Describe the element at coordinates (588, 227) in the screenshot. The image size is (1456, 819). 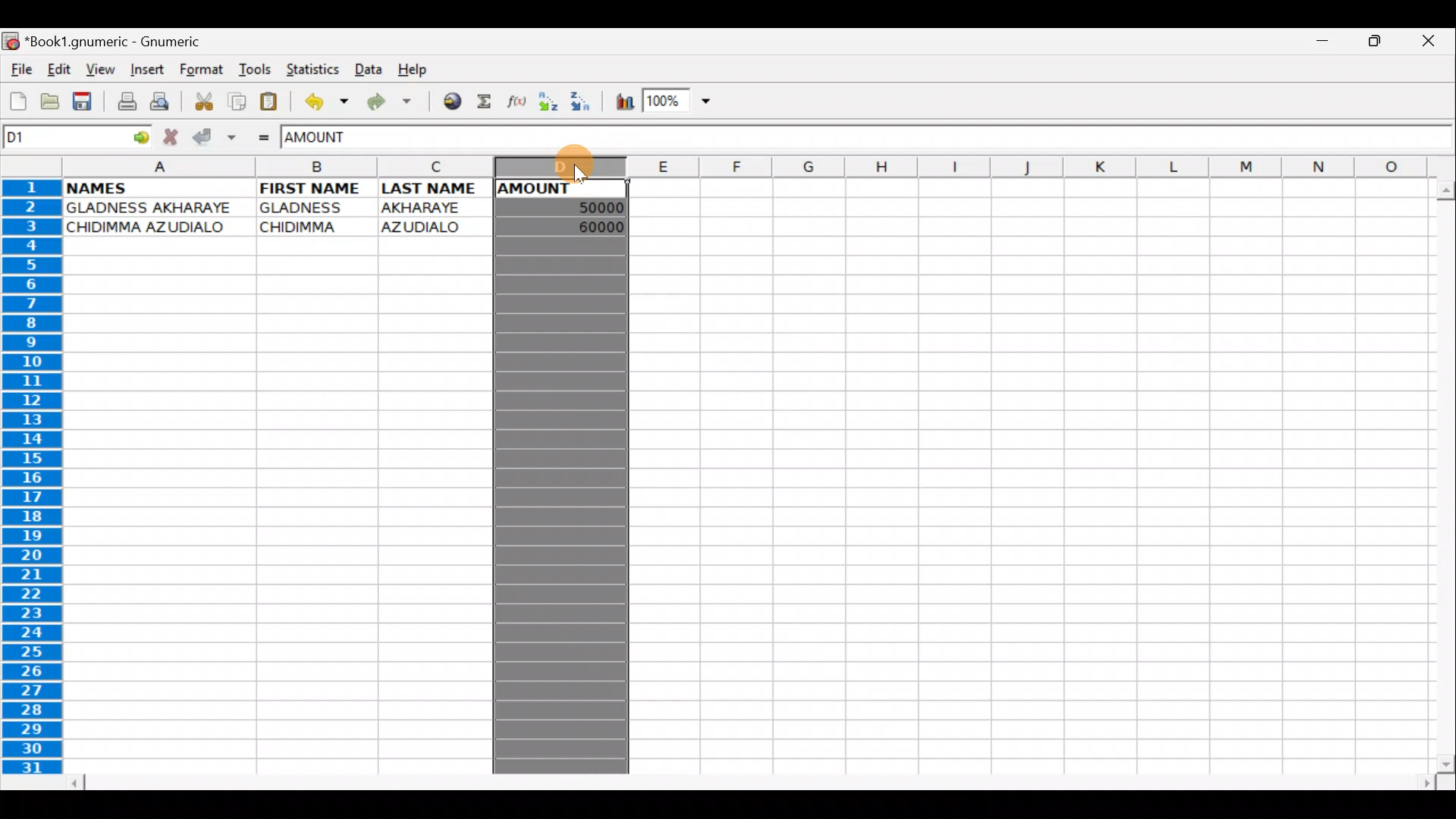
I see `60000` at that location.